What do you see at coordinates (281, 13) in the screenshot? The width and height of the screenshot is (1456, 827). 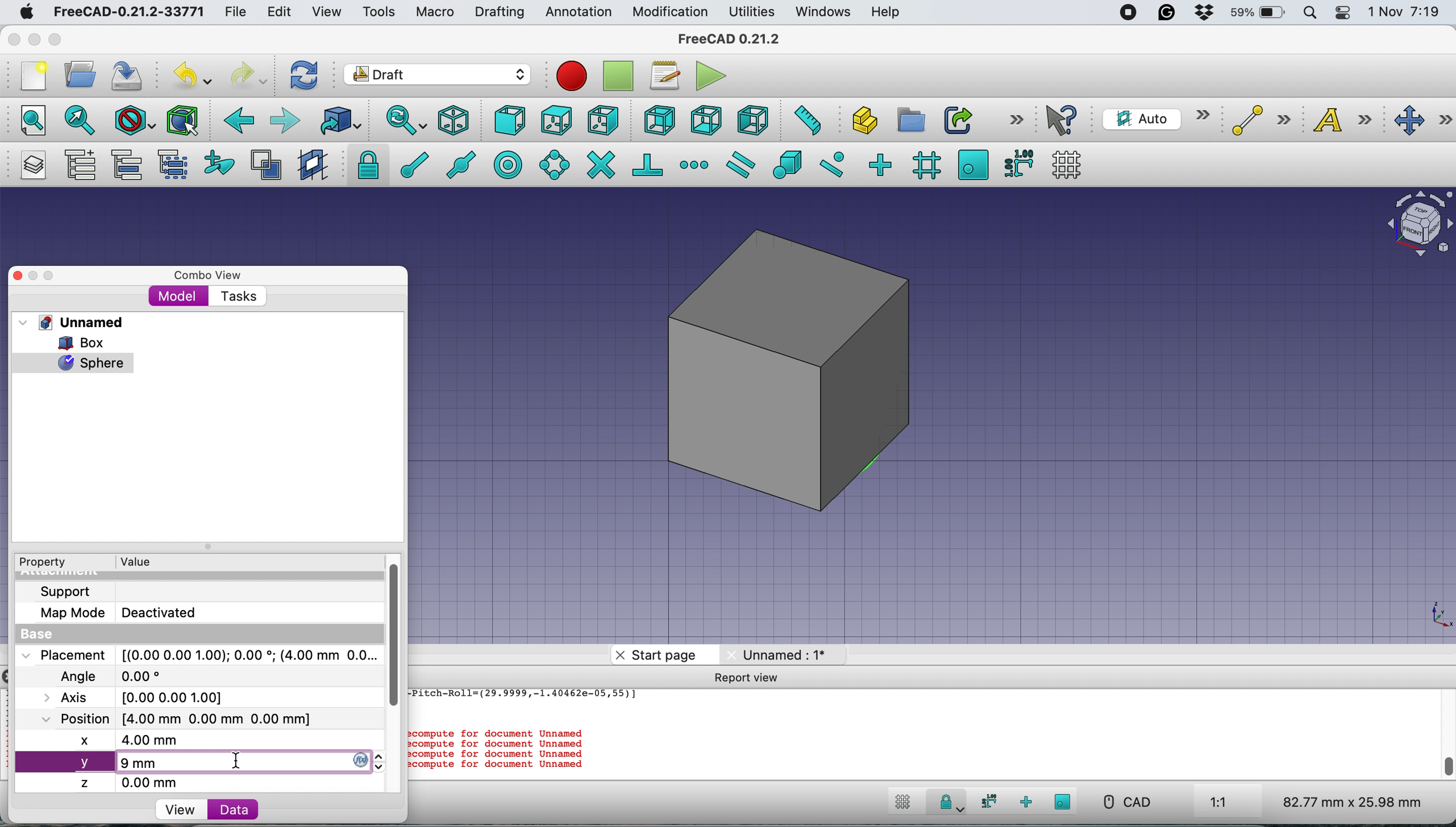 I see `edit` at bounding box center [281, 13].